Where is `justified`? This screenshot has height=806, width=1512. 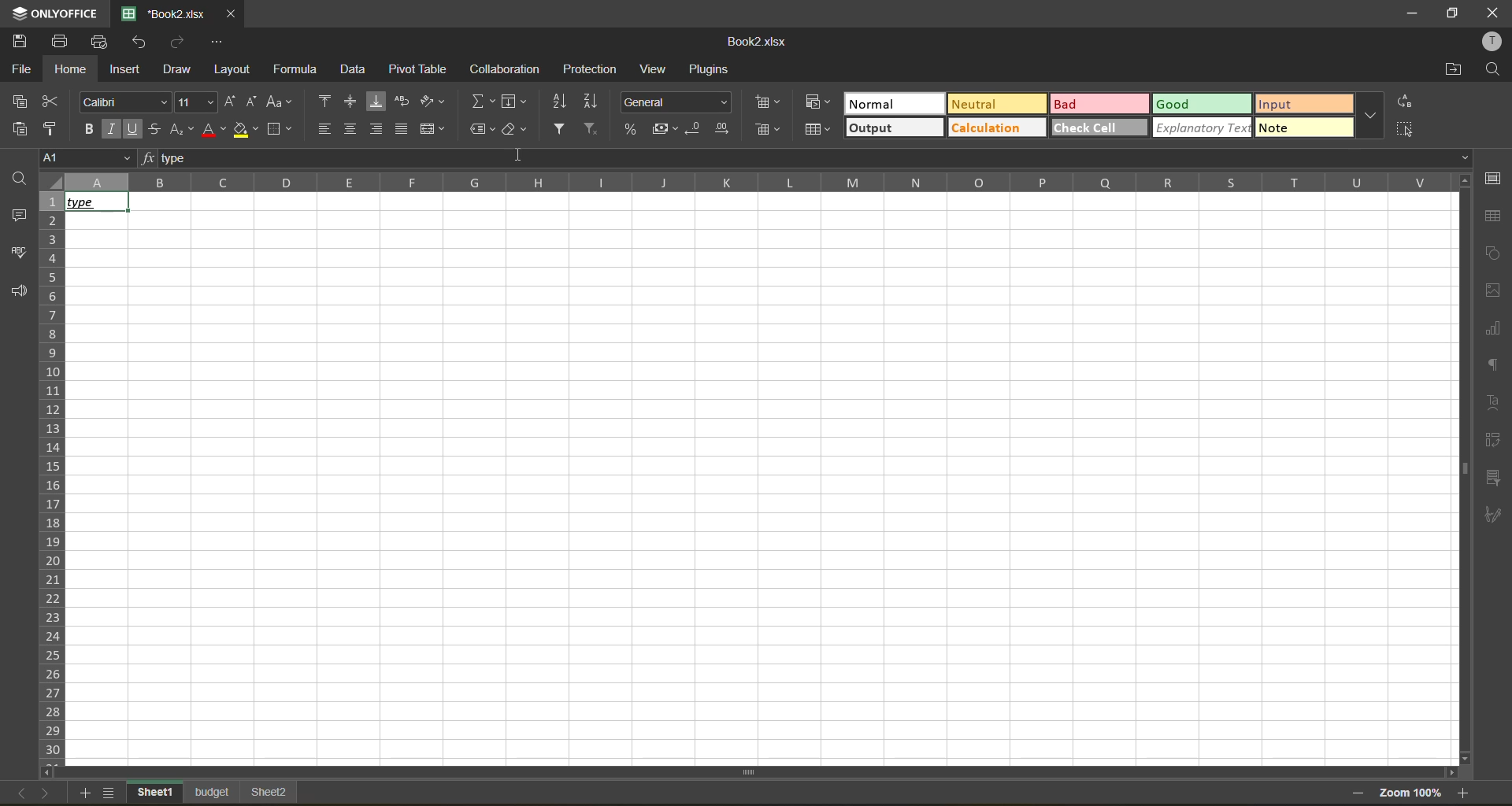
justified is located at coordinates (401, 128).